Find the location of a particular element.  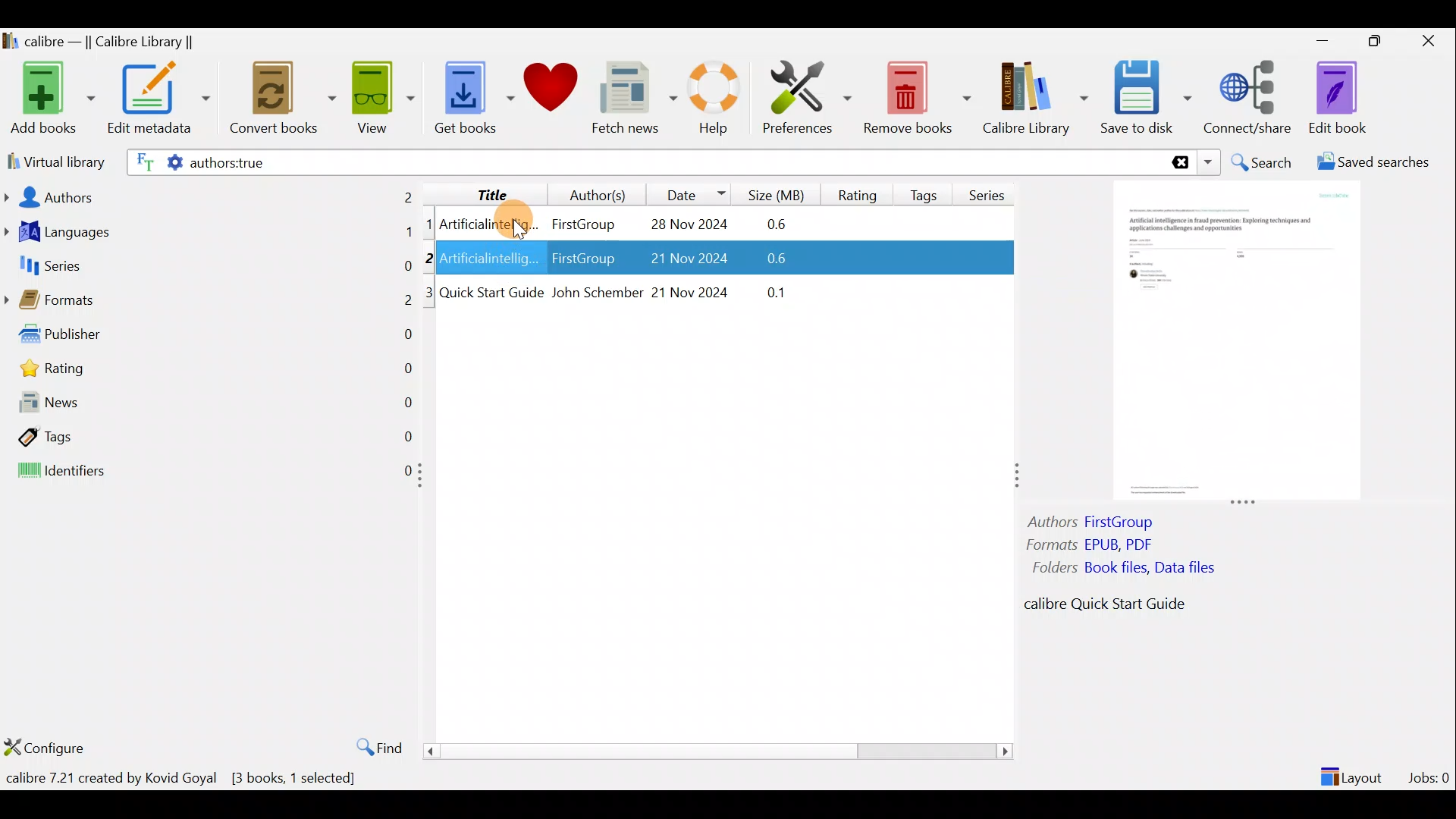

Formats is located at coordinates (209, 304).